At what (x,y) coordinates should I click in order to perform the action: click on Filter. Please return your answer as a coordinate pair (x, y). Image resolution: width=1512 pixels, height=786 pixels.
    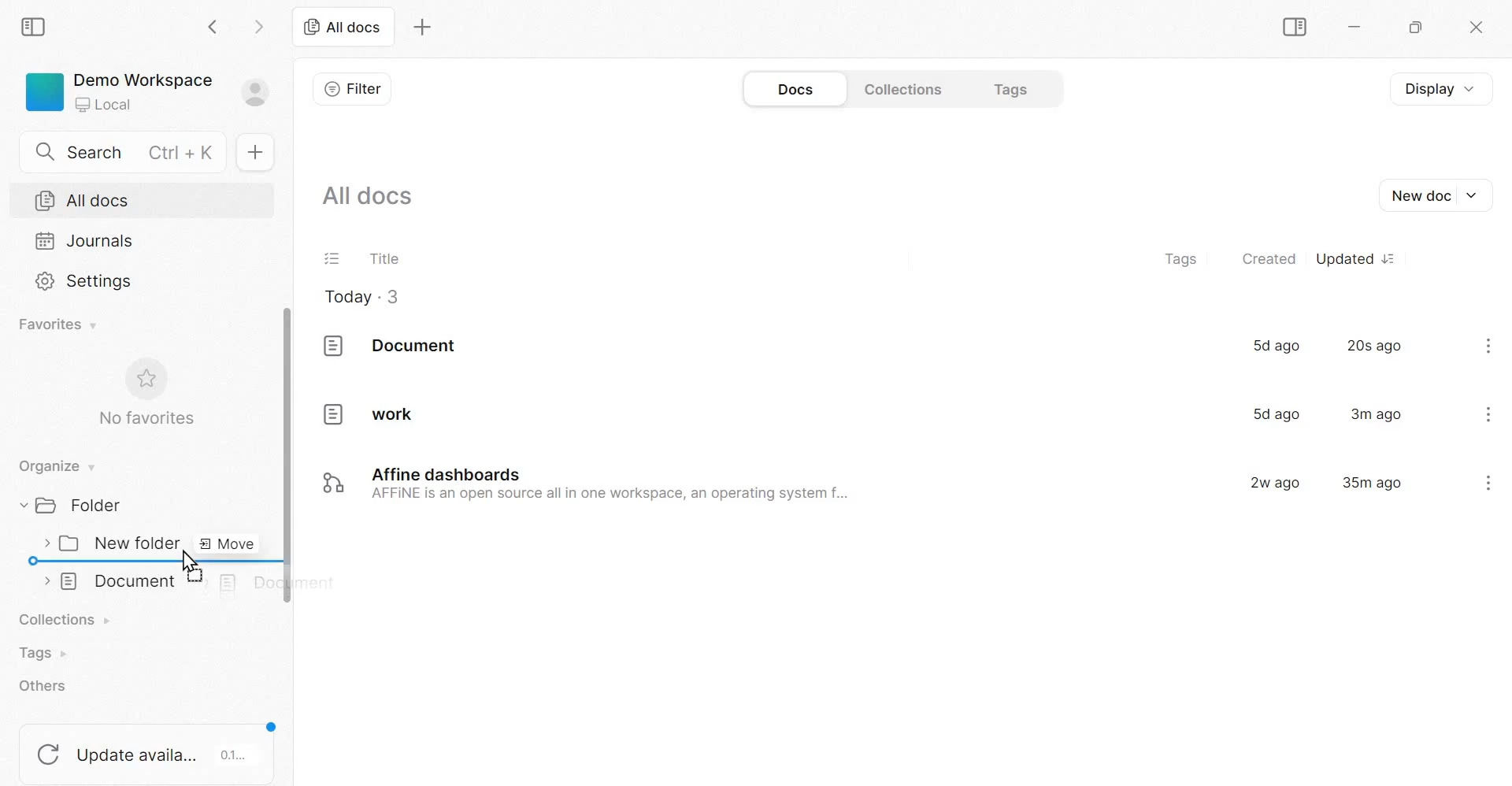
    Looking at the image, I should click on (354, 87).